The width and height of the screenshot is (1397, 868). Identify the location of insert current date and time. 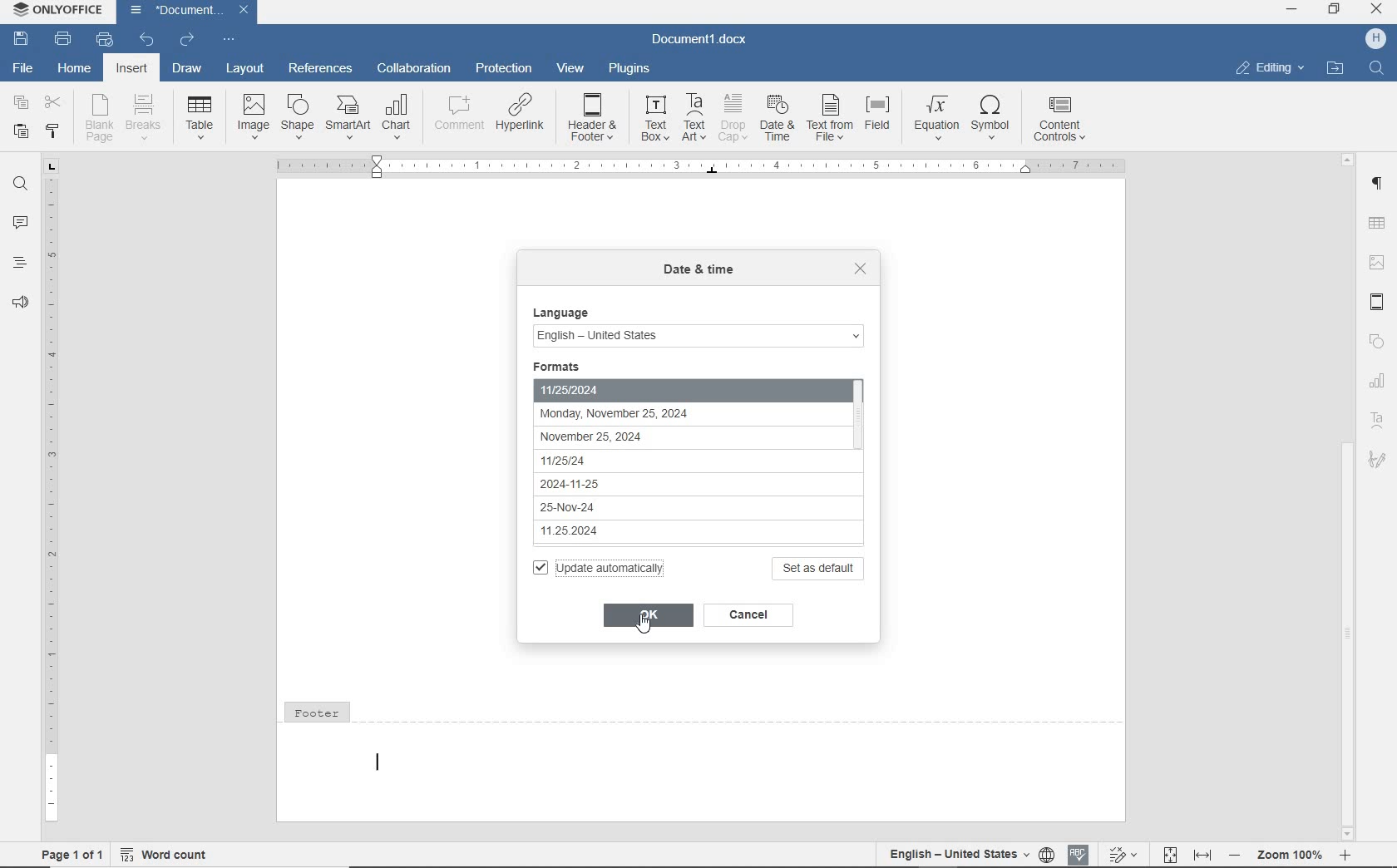
(746, 165).